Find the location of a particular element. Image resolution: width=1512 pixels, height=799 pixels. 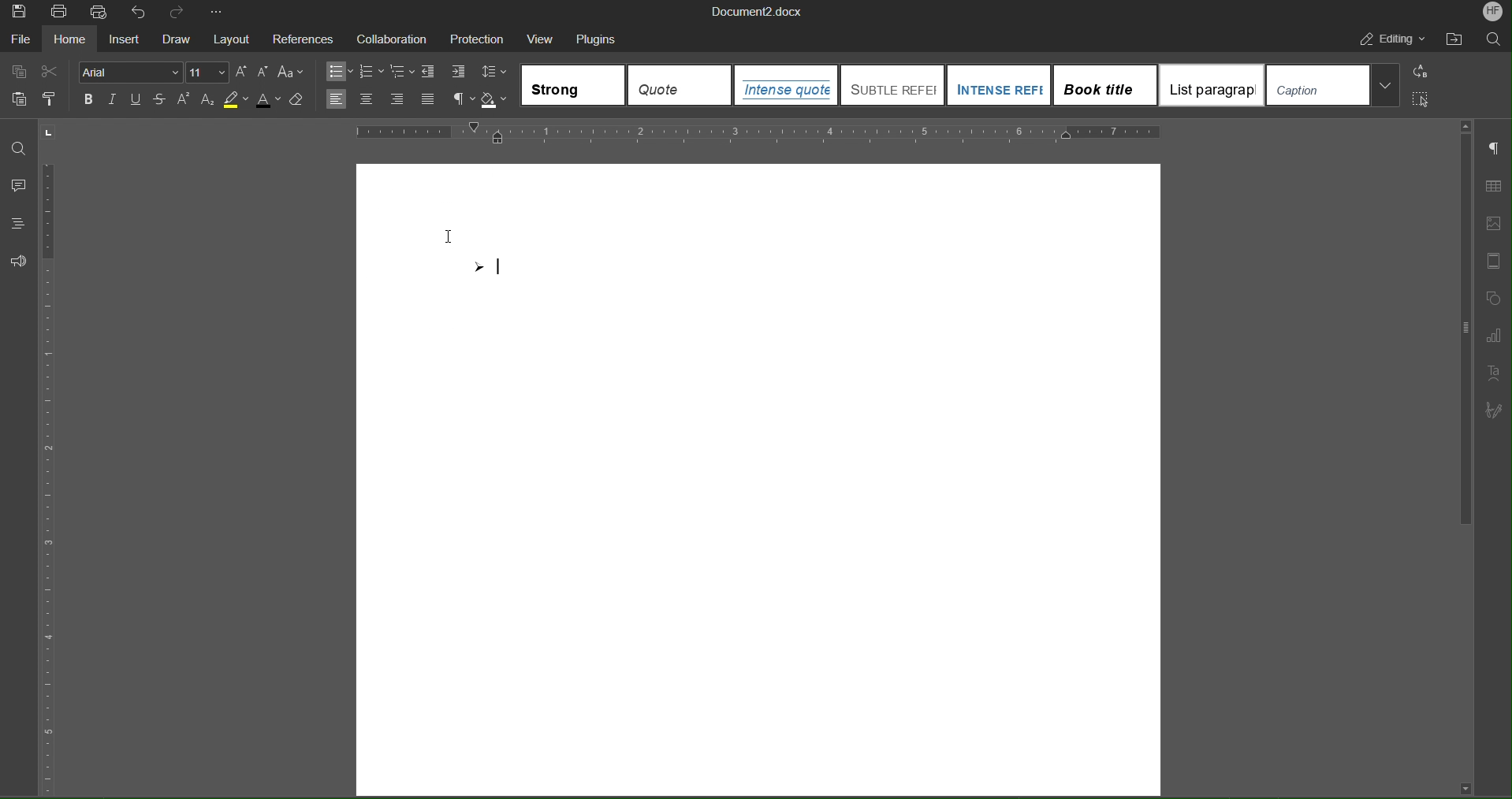

Graph Settings is located at coordinates (1490, 334).